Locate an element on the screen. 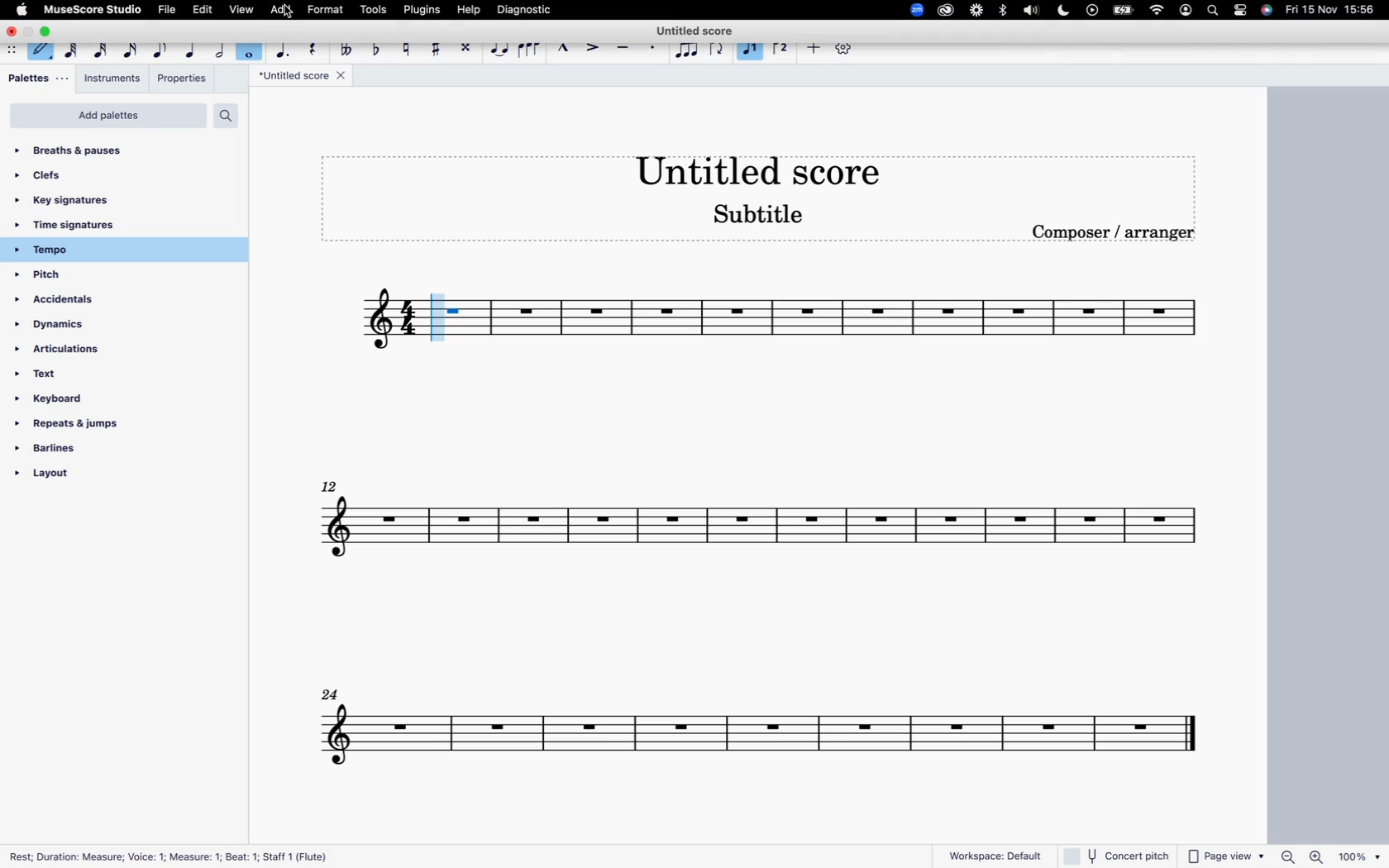 This screenshot has width=1389, height=868. half note is located at coordinates (219, 47).